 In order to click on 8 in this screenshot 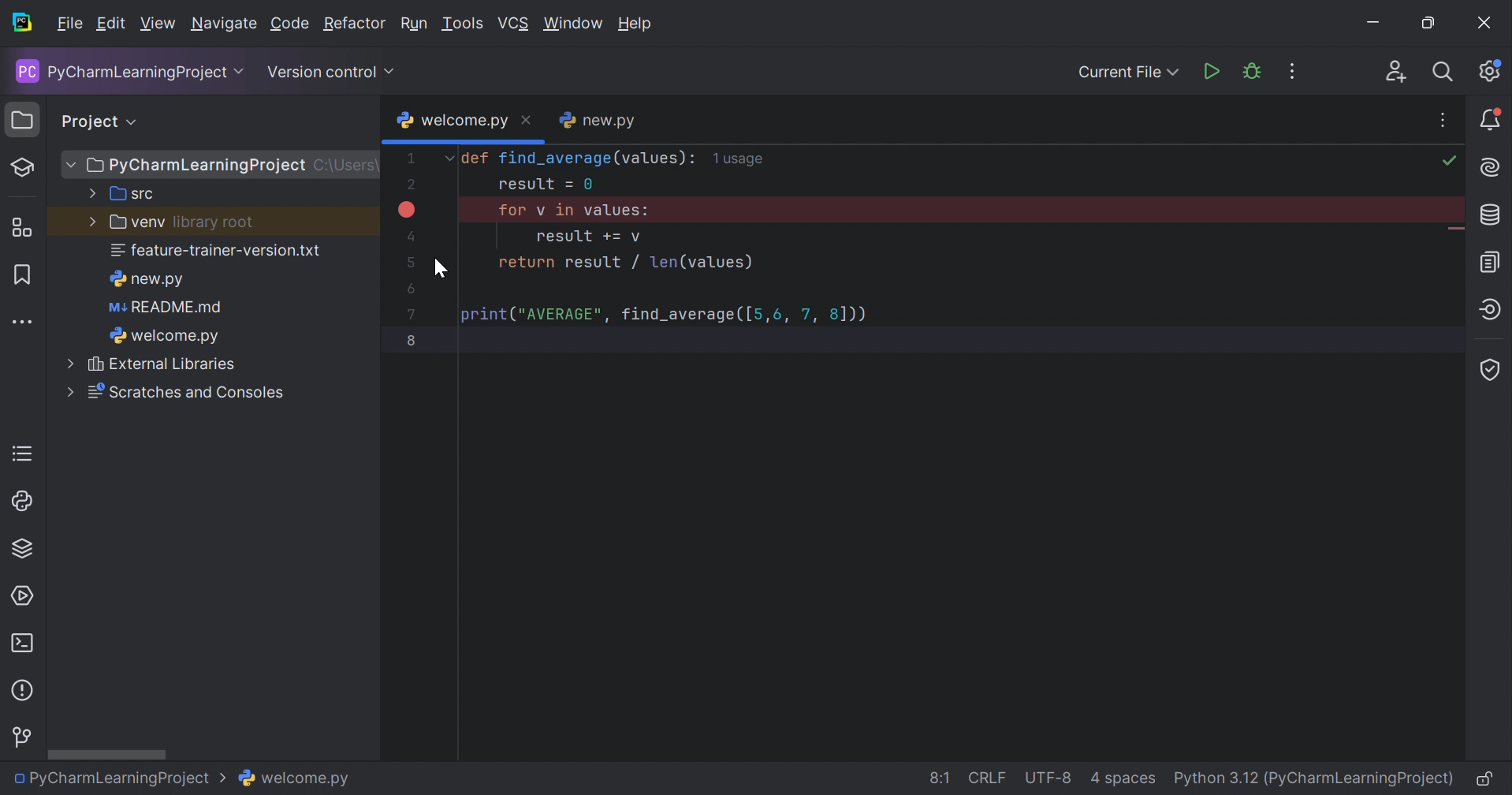, I will do `click(415, 341)`.